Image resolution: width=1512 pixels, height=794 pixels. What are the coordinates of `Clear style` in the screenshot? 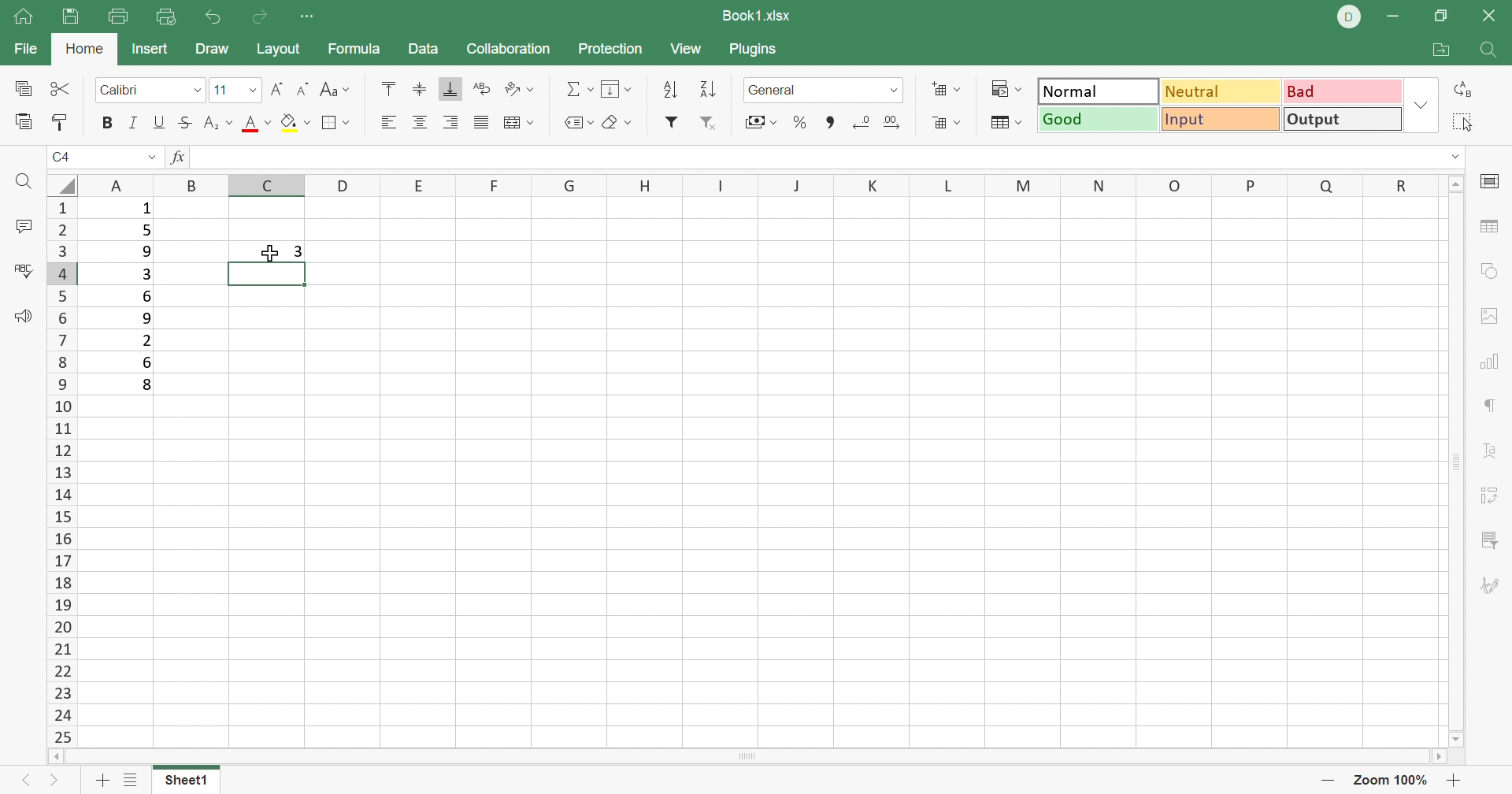 It's located at (618, 124).